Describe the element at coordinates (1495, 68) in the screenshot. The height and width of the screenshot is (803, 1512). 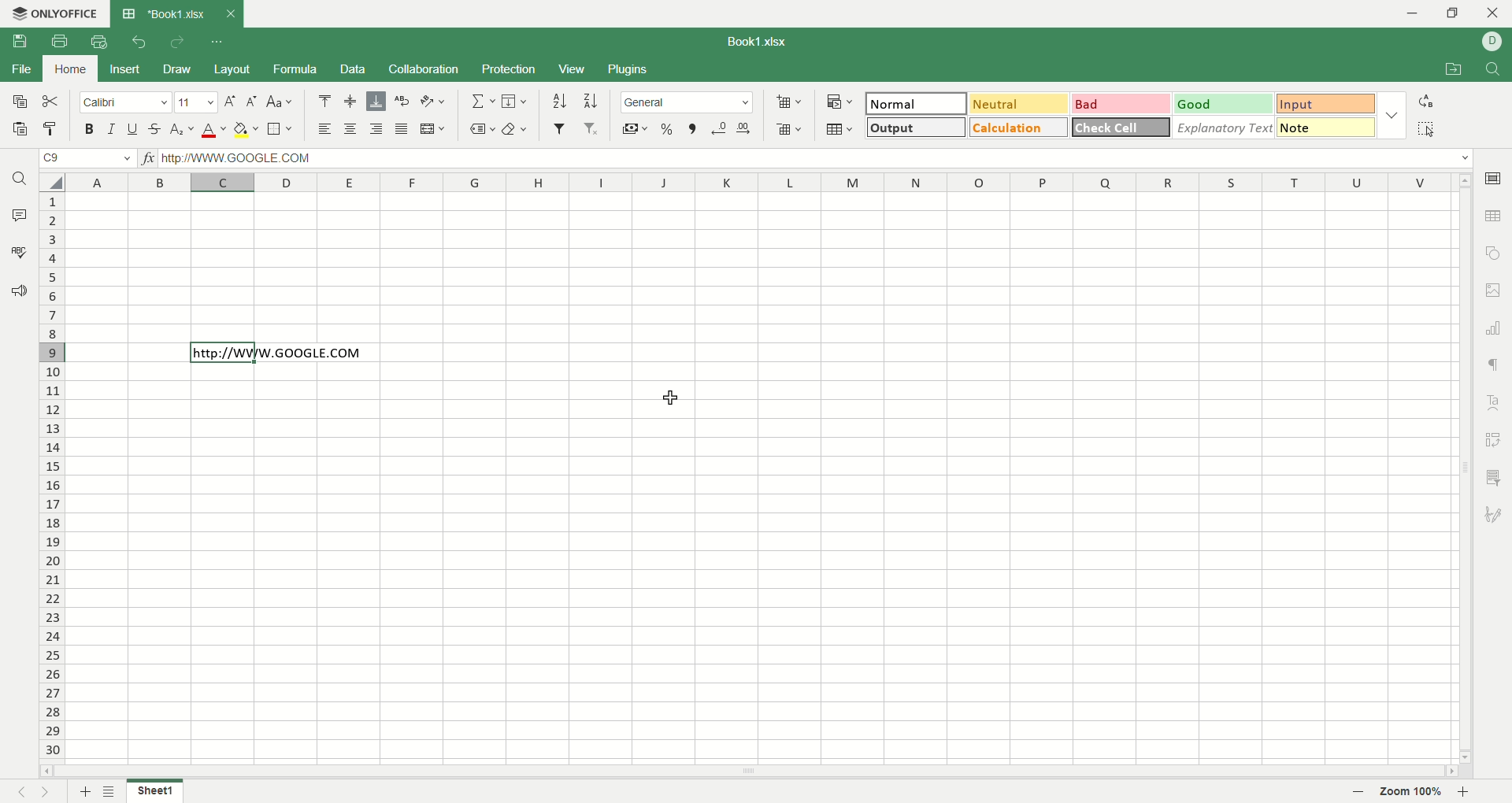
I see `find` at that location.